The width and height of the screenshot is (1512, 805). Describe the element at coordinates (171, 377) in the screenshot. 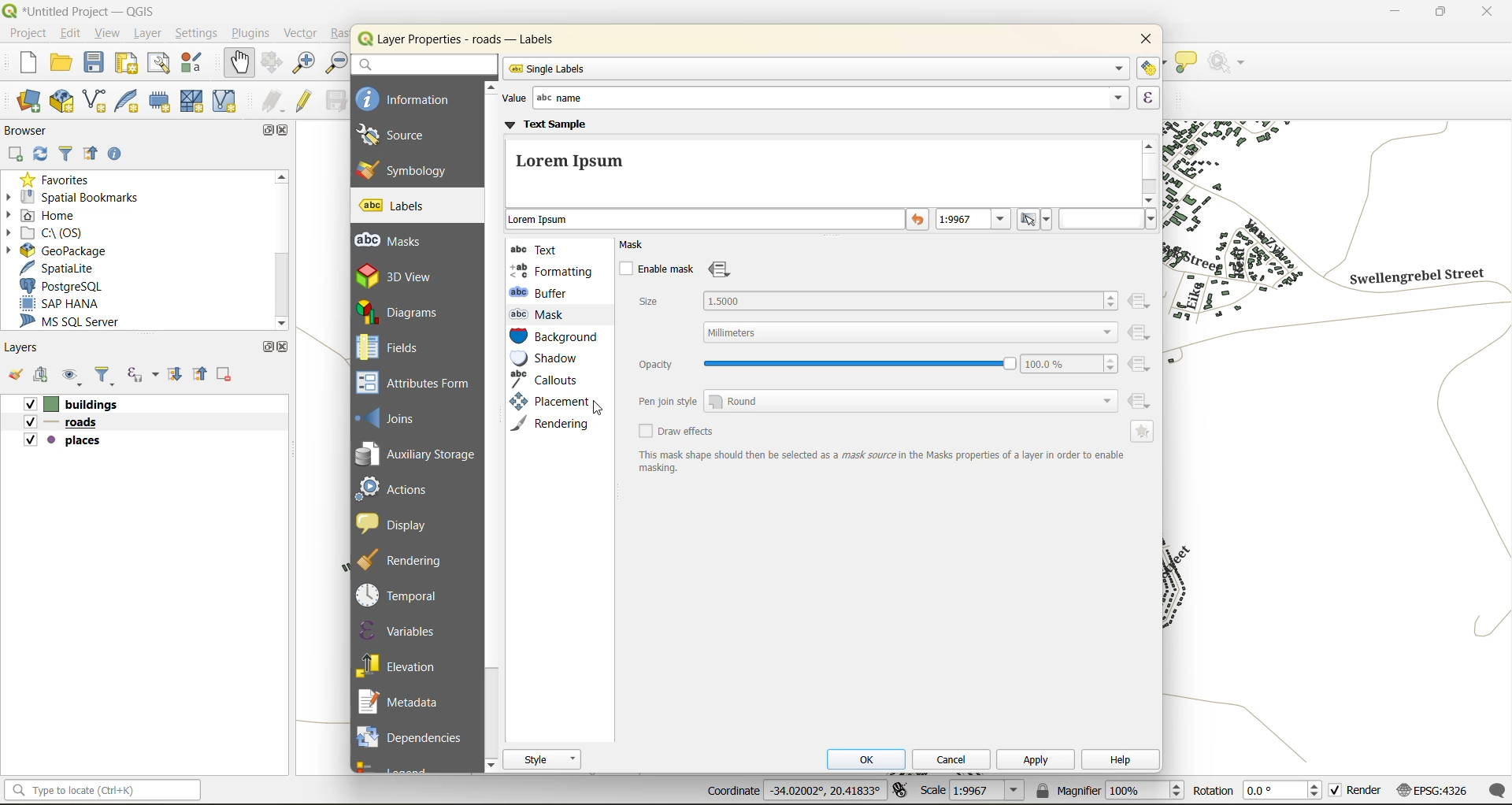

I see `expand all` at that location.